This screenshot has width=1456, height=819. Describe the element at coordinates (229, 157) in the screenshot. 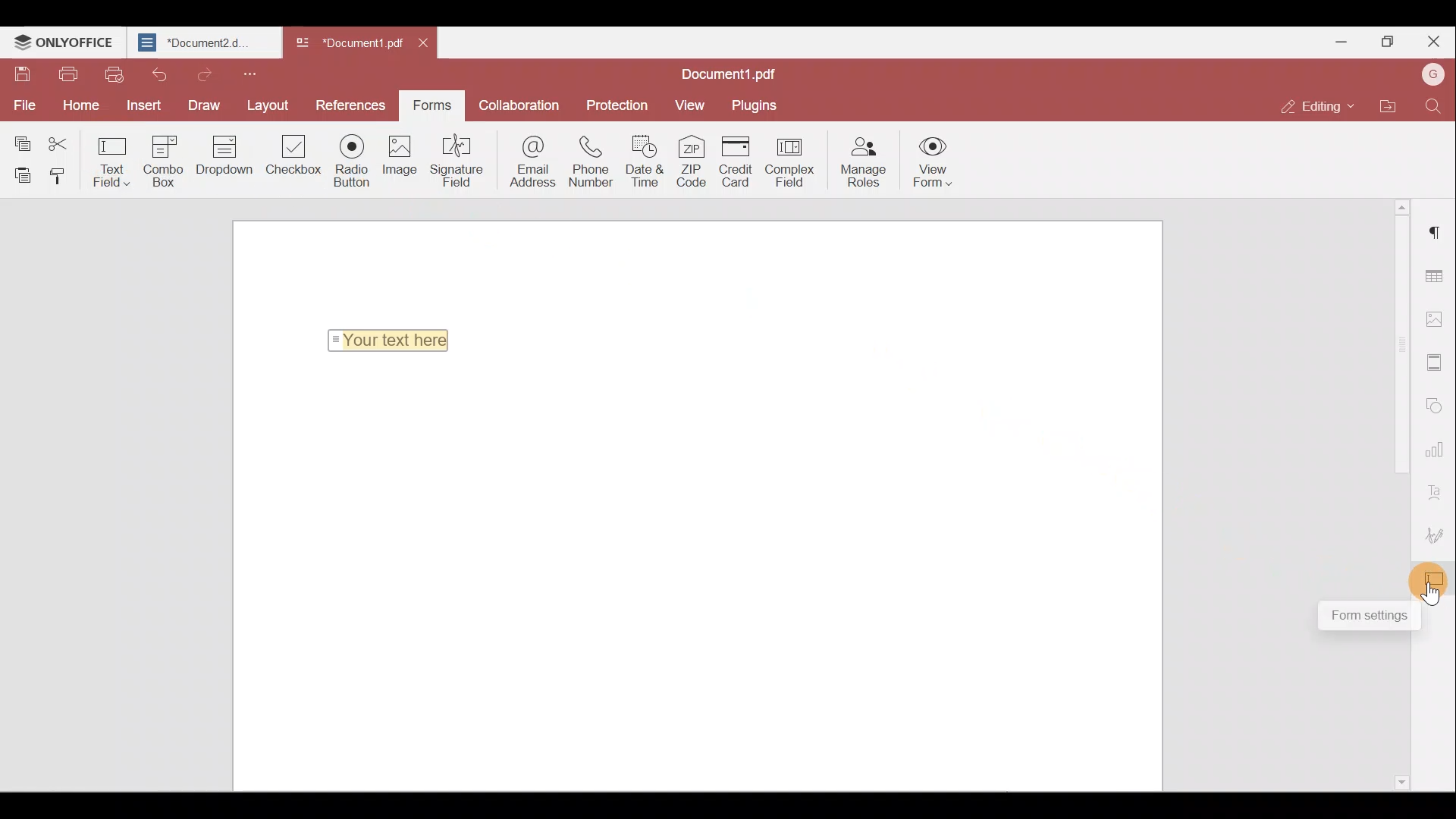

I see `Drop down` at that location.